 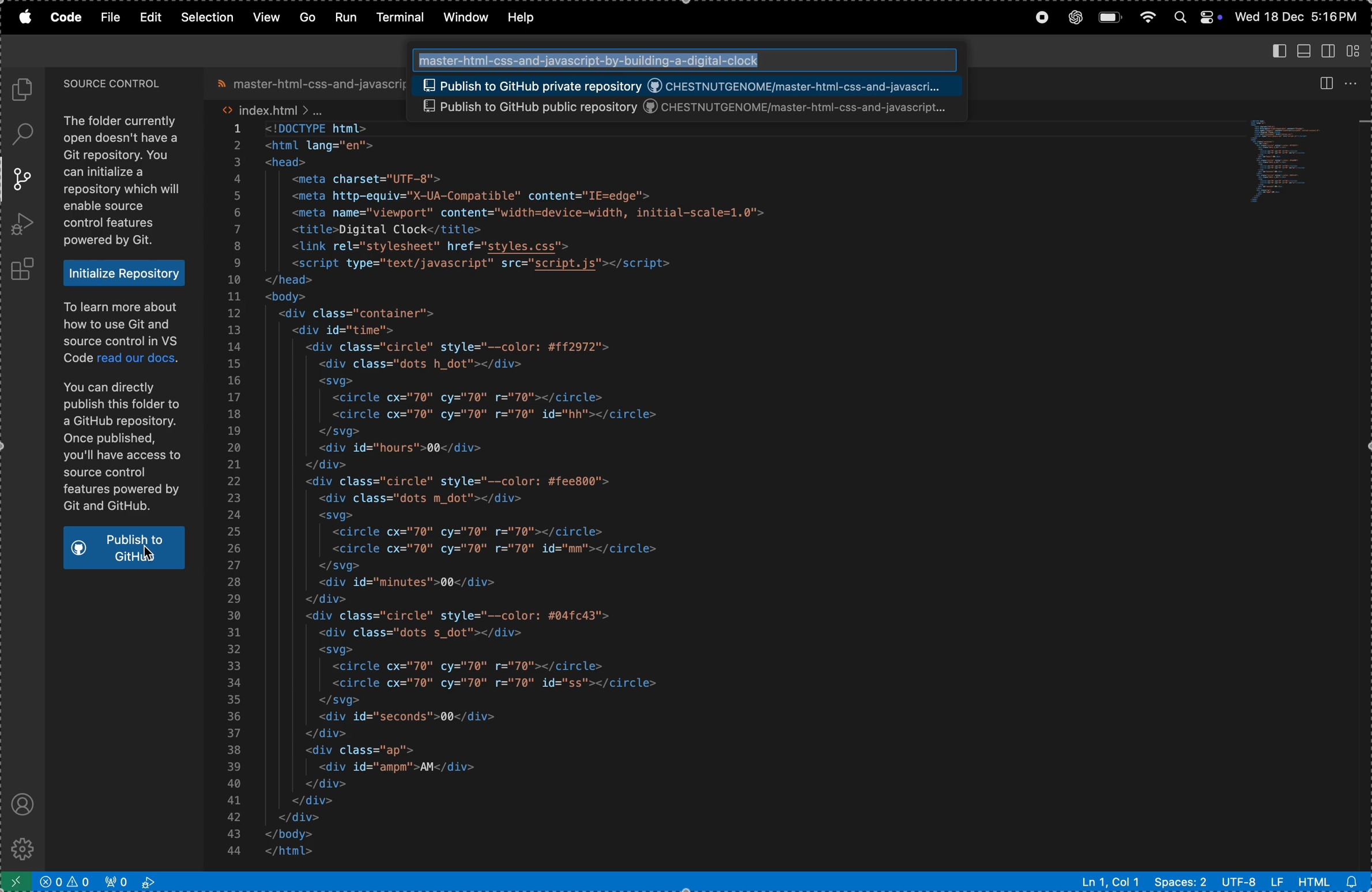 What do you see at coordinates (468, 398) in the screenshot?
I see `<circle cx="70" cy="70" r="70"></circle>` at bounding box center [468, 398].